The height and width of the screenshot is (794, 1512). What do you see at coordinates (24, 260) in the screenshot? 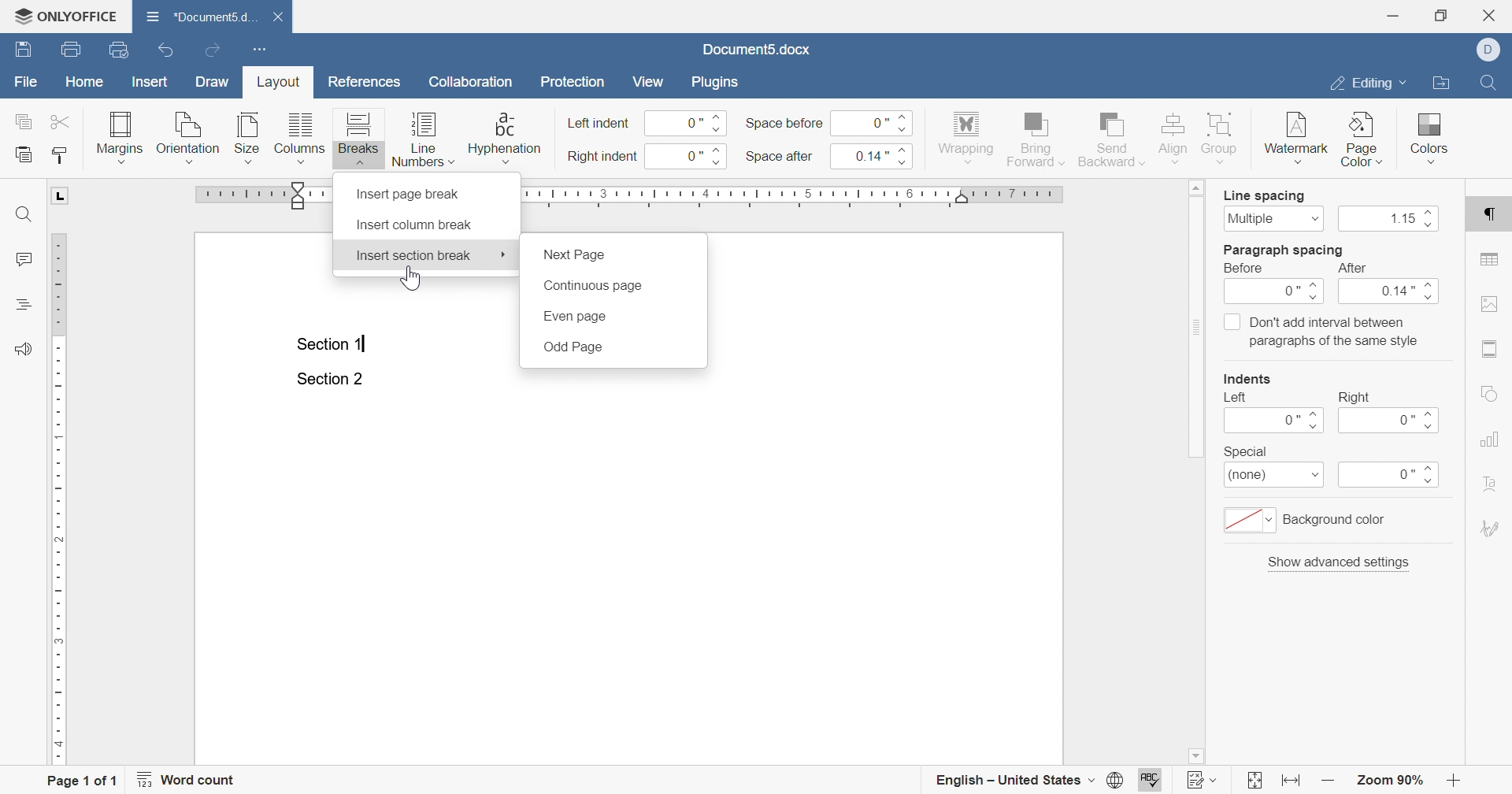
I see `comments` at bounding box center [24, 260].